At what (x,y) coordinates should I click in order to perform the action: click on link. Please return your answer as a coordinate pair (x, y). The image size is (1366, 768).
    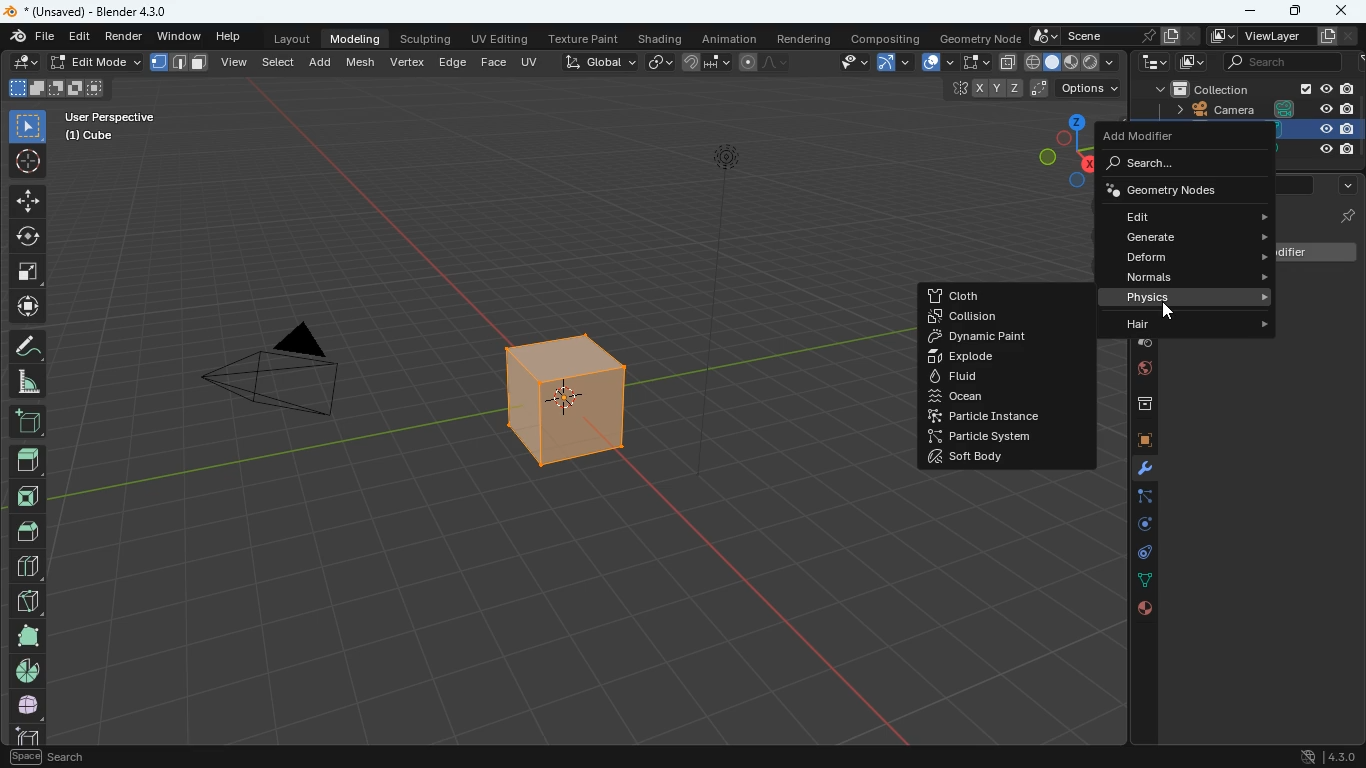
    Looking at the image, I should click on (660, 63).